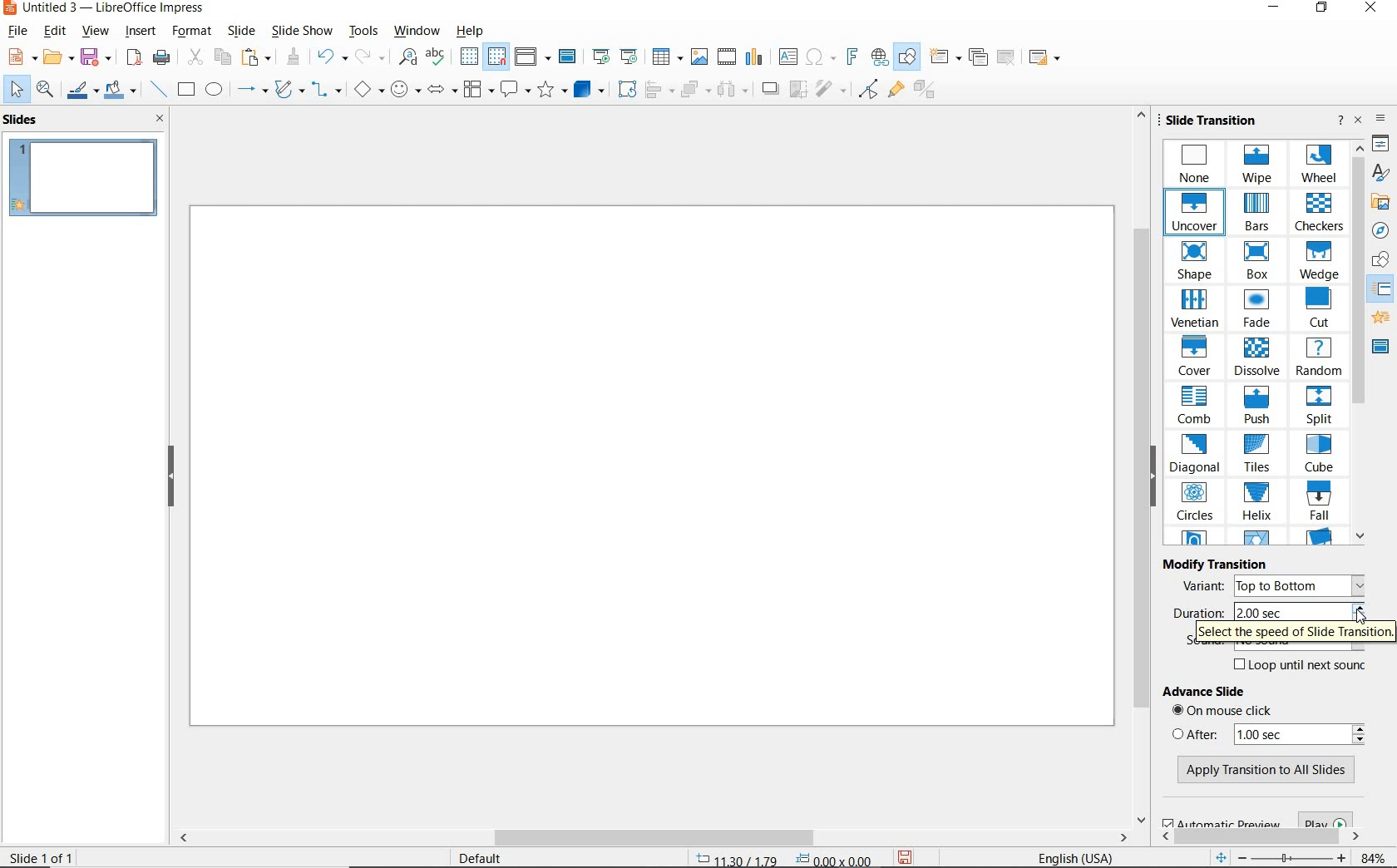 The height and width of the screenshot is (868, 1397). I want to click on WEDGE, so click(1321, 260).